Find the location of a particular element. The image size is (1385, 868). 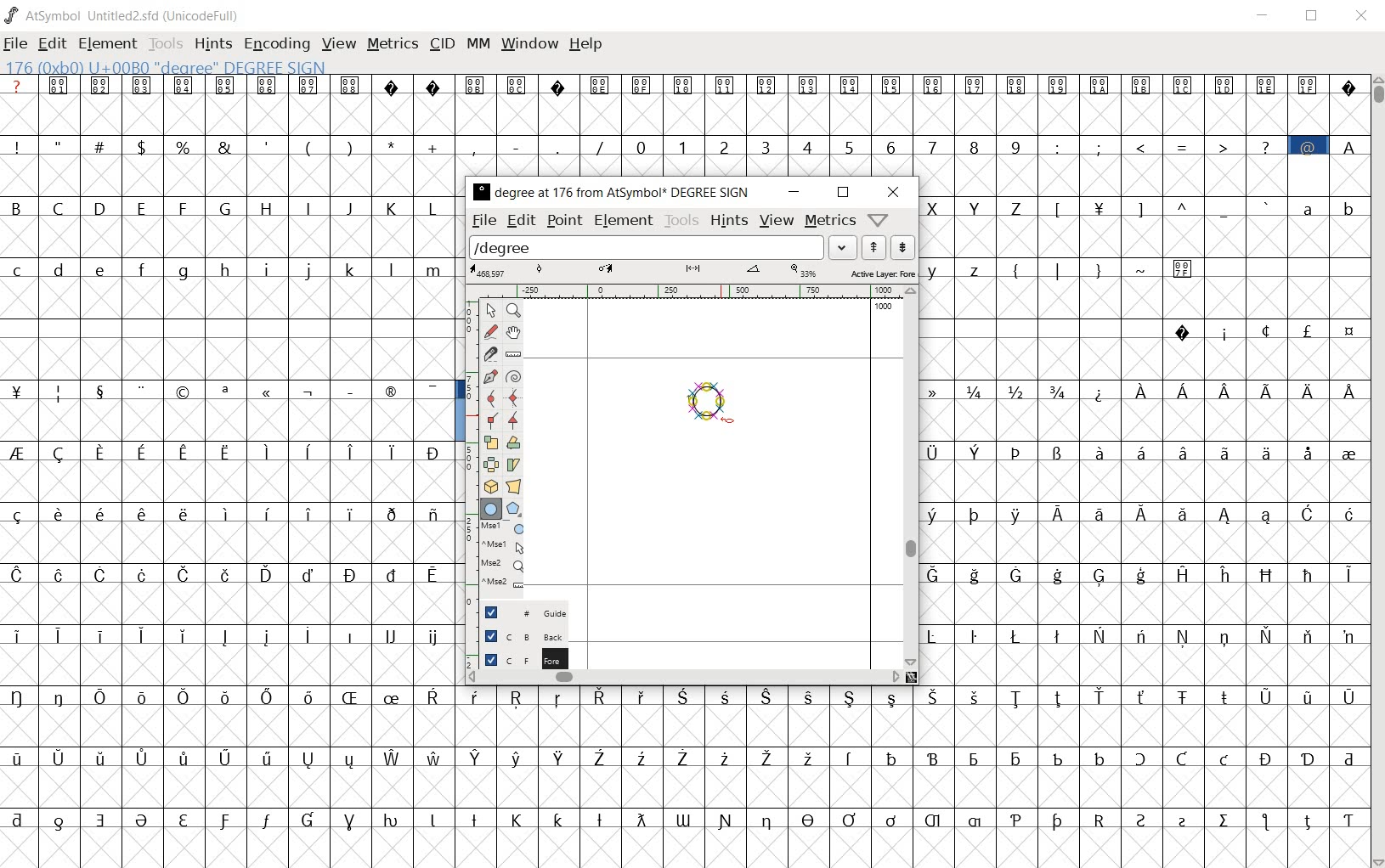

ruler is located at coordinates (682, 292).